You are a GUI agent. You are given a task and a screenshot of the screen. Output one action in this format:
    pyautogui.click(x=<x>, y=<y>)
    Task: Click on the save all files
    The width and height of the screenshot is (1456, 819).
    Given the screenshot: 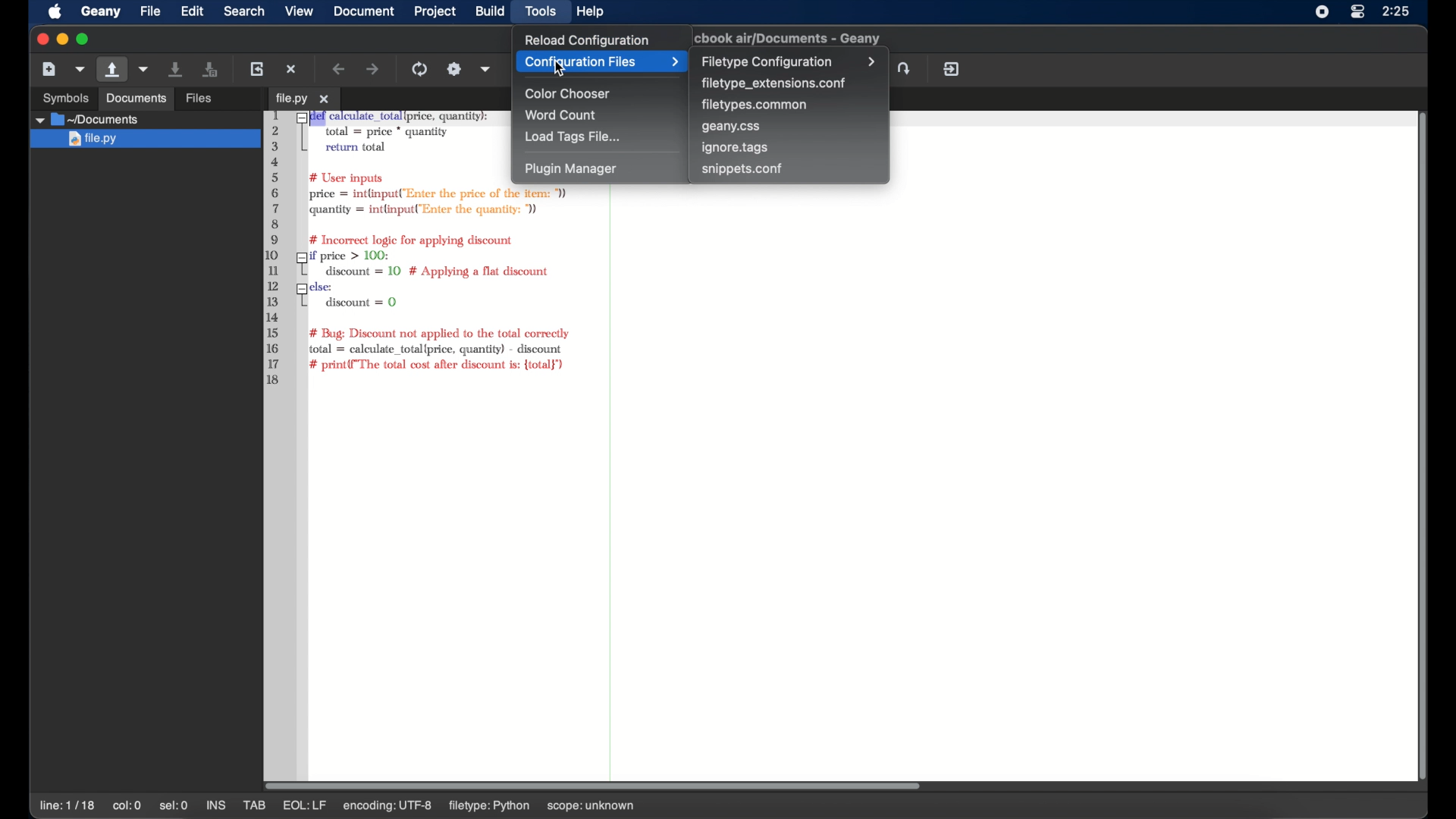 What is the action you would take?
    pyautogui.click(x=211, y=70)
    